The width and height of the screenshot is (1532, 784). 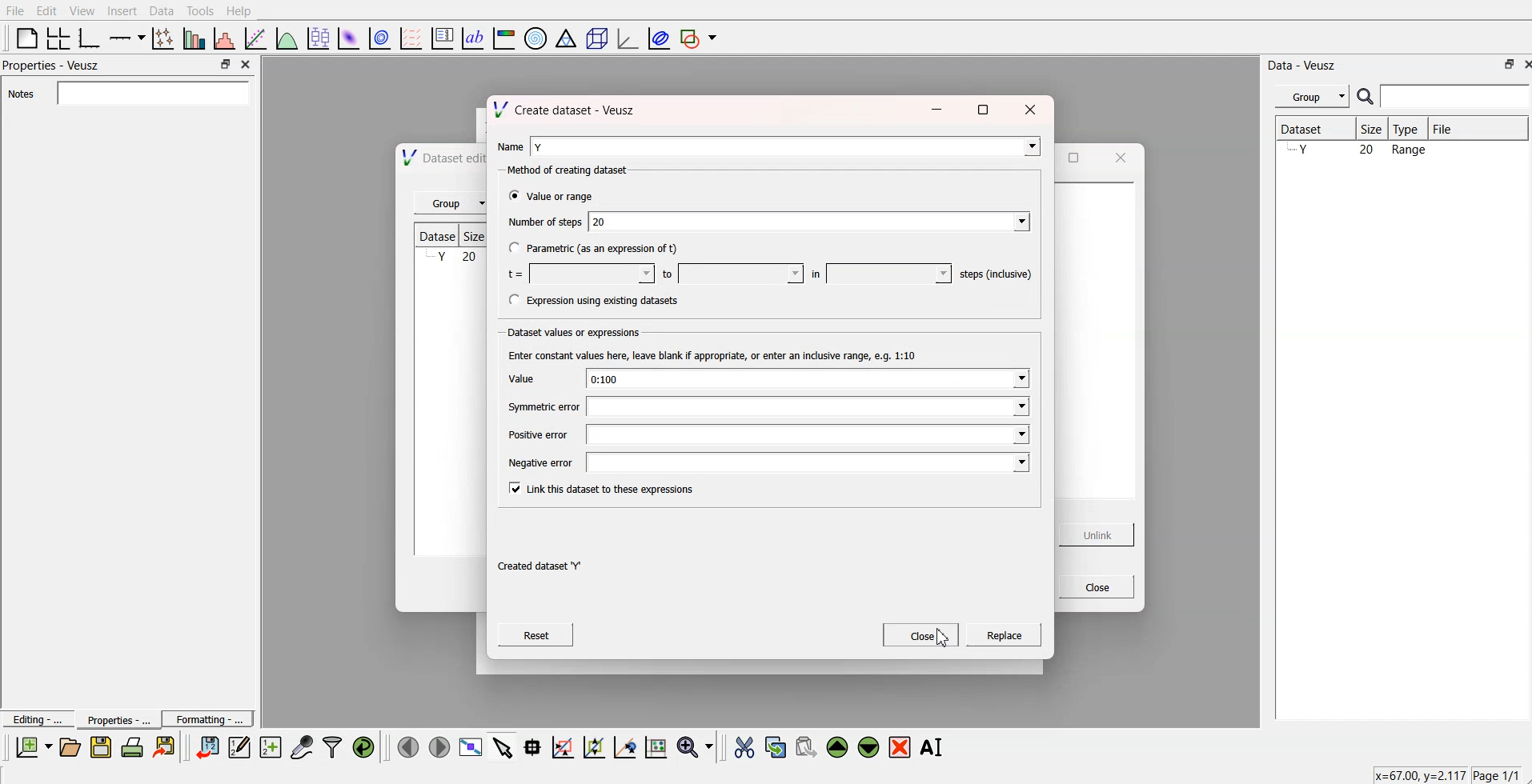 What do you see at coordinates (935, 113) in the screenshot?
I see `minimize` at bounding box center [935, 113].